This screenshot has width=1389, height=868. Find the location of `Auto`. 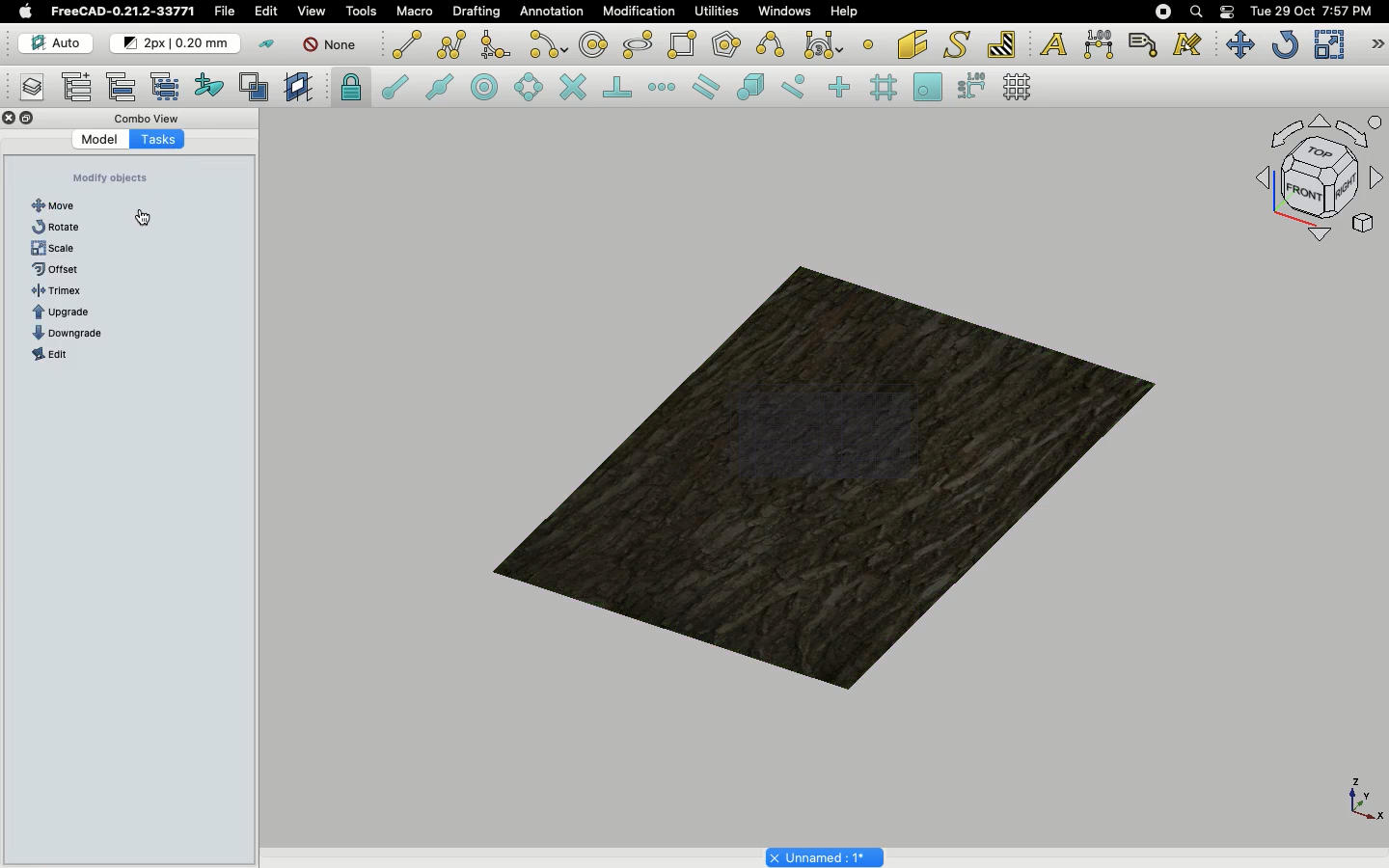

Auto is located at coordinates (57, 43).